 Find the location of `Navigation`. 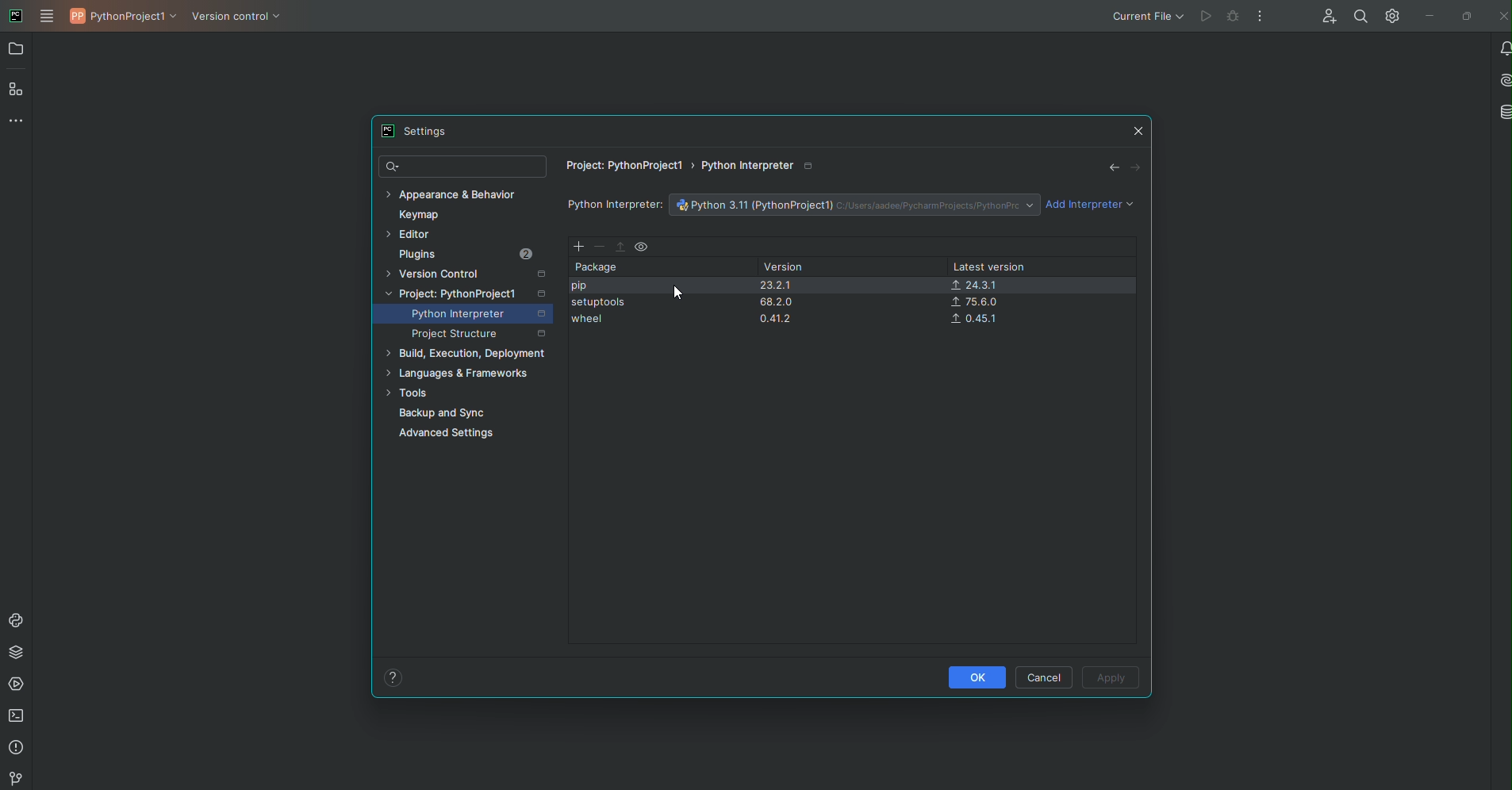

Navigation is located at coordinates (1122, 166).